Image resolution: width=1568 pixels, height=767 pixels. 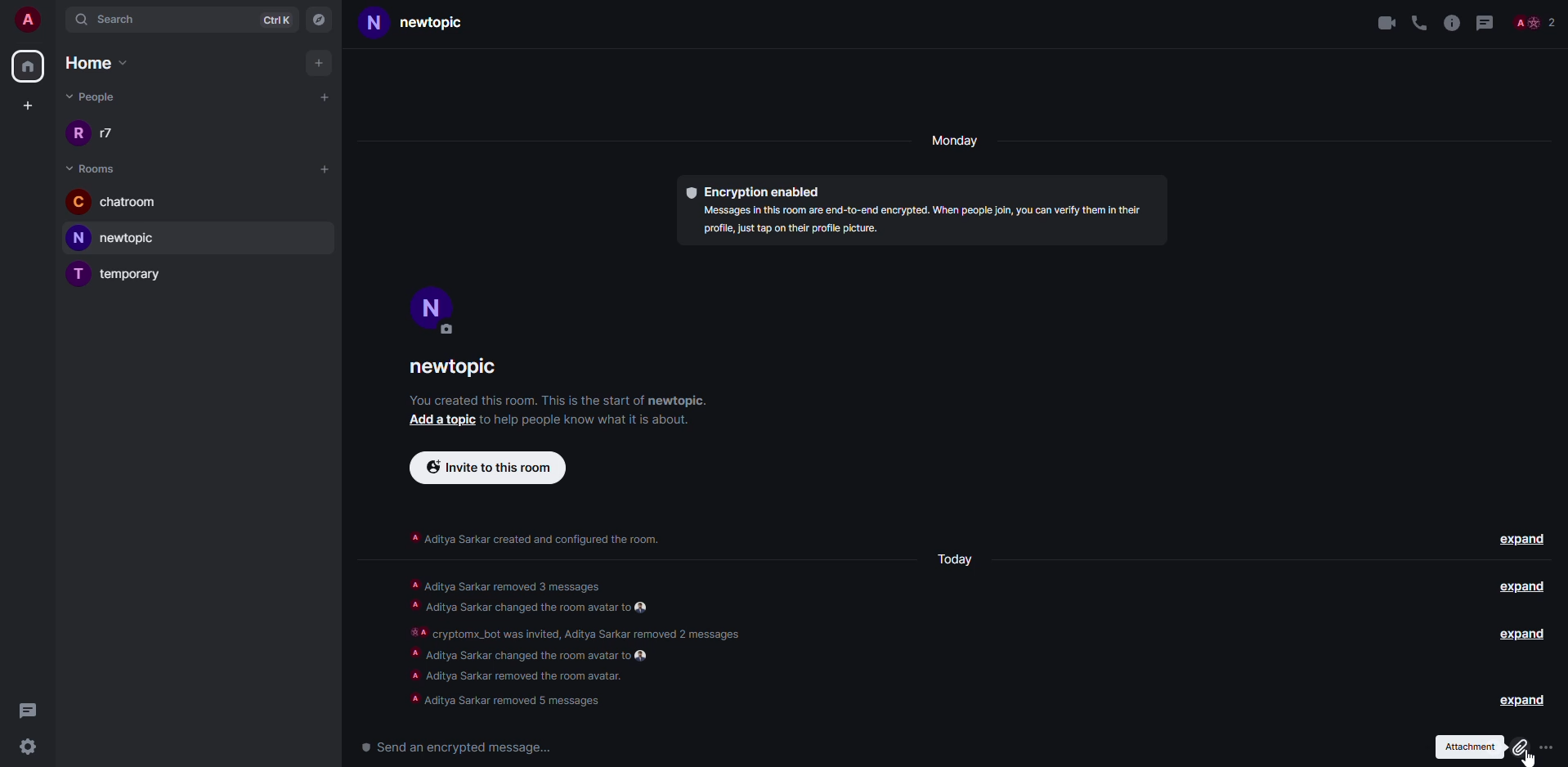 I want to click on account, so click(x=25, y=16).